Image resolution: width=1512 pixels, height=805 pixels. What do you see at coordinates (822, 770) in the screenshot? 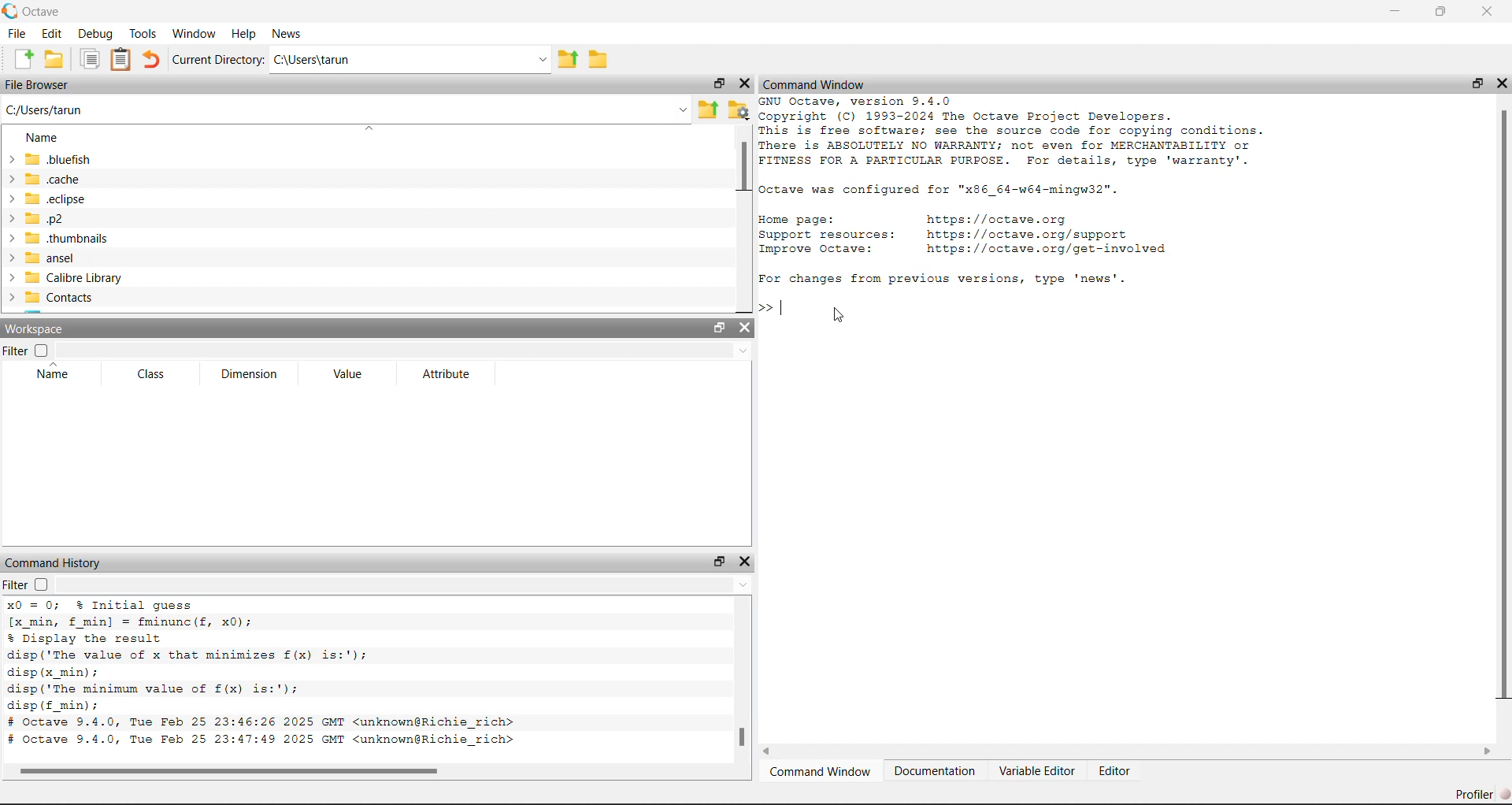
I see `Camera Window` at bounding box center [822, 770].